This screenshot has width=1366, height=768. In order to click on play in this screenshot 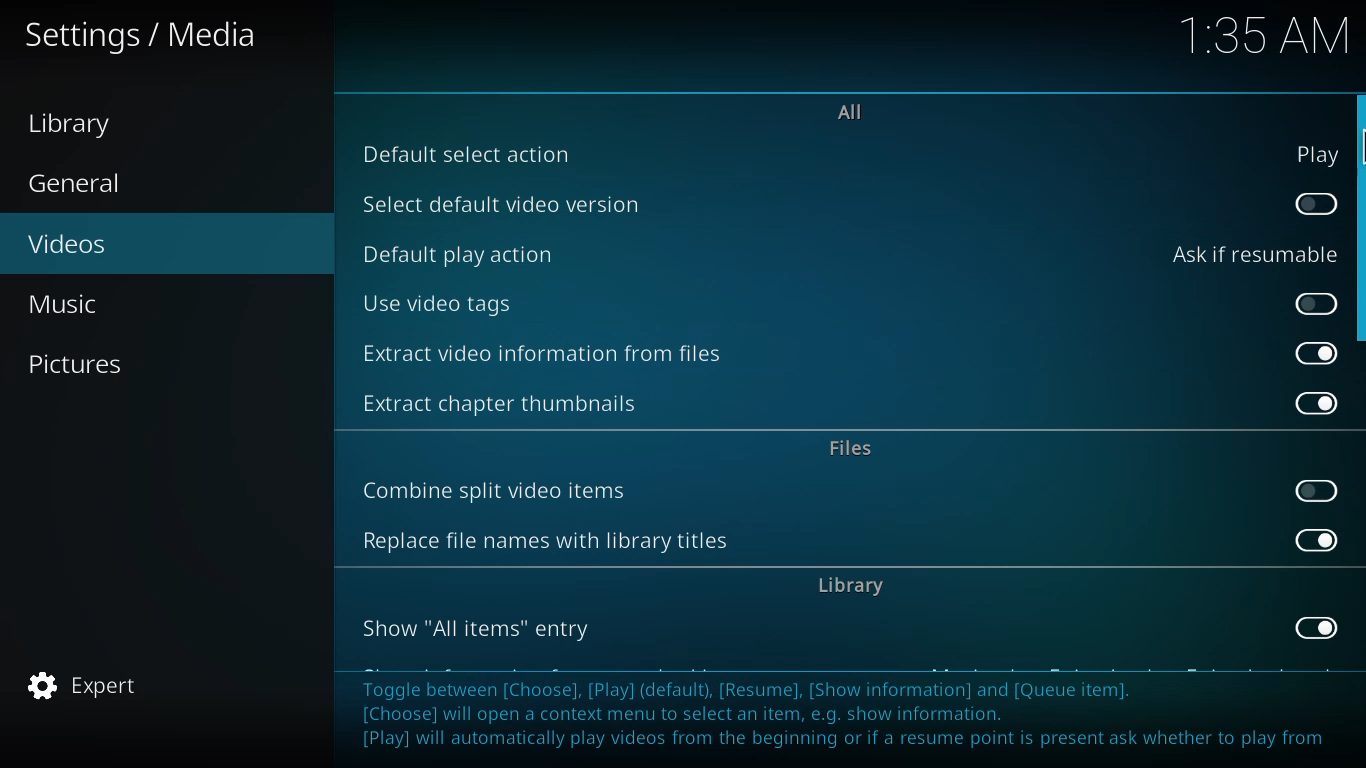, I will do `click(1316, 155)`.